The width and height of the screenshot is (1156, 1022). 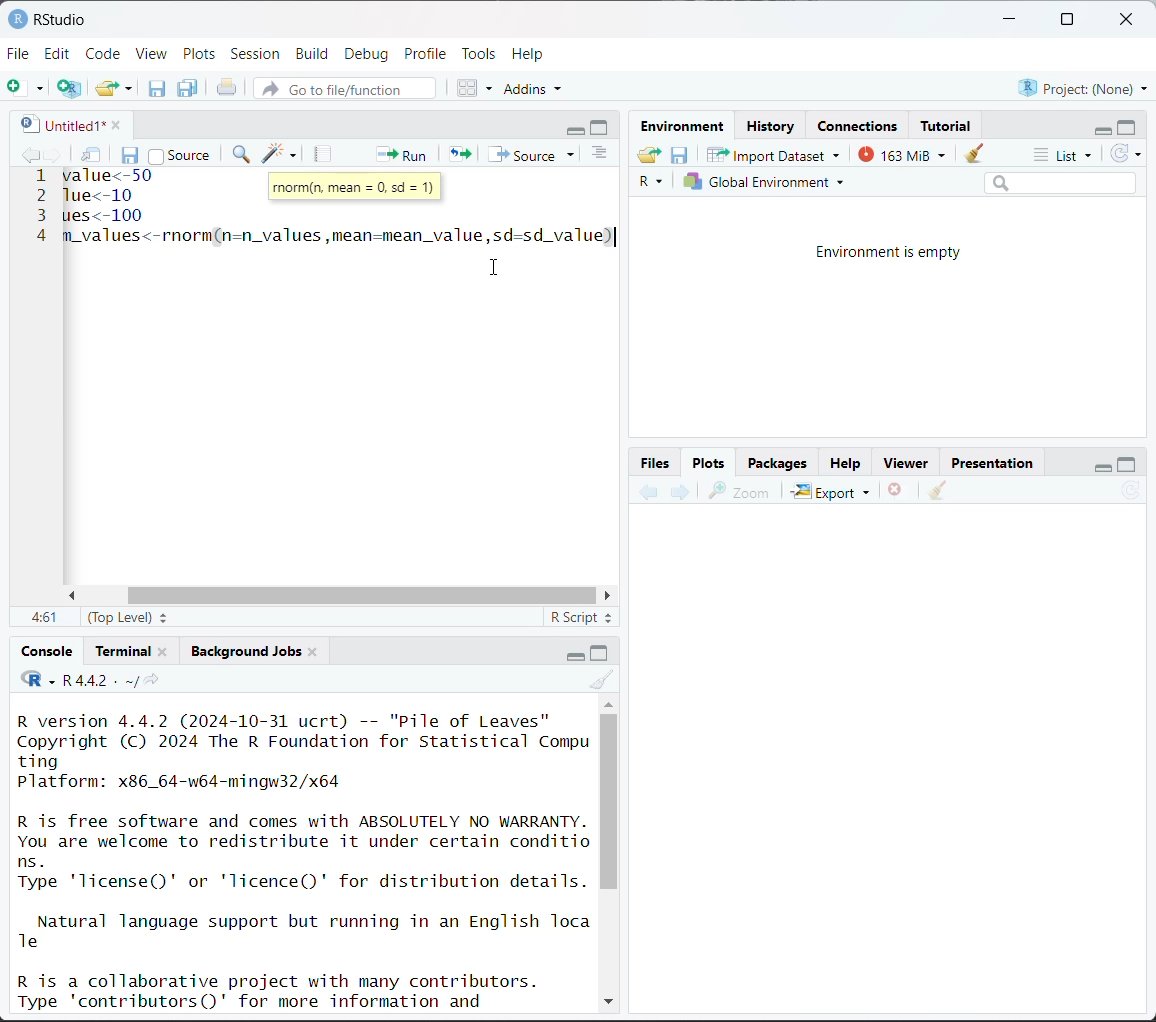 What do you see at coordinates (969, 150) in the screenshot?
I see `clear objects from workspace` at bounding box center [969, 150].